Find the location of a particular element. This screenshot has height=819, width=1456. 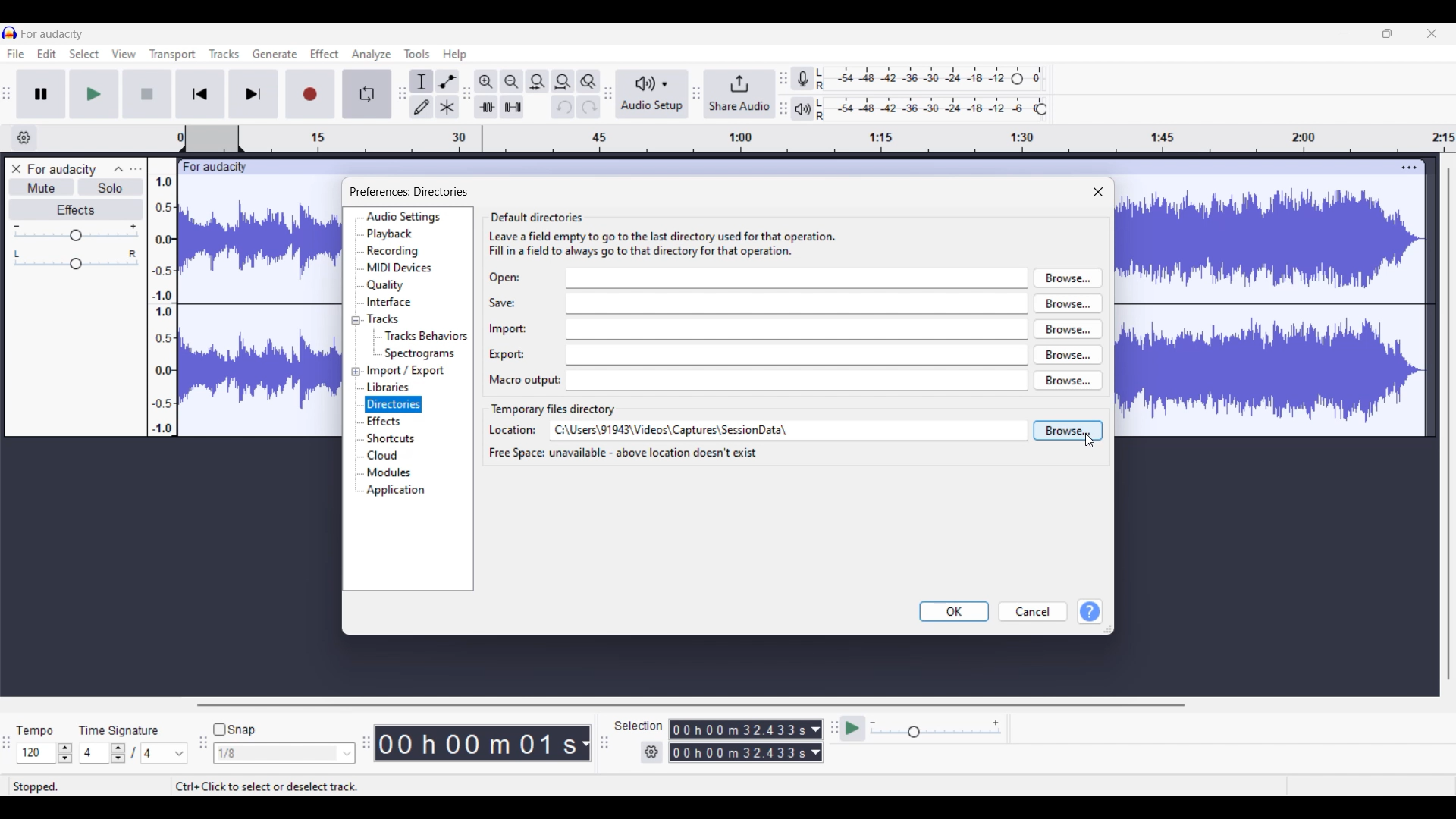

Playback level is located at coordinates (924, 109).